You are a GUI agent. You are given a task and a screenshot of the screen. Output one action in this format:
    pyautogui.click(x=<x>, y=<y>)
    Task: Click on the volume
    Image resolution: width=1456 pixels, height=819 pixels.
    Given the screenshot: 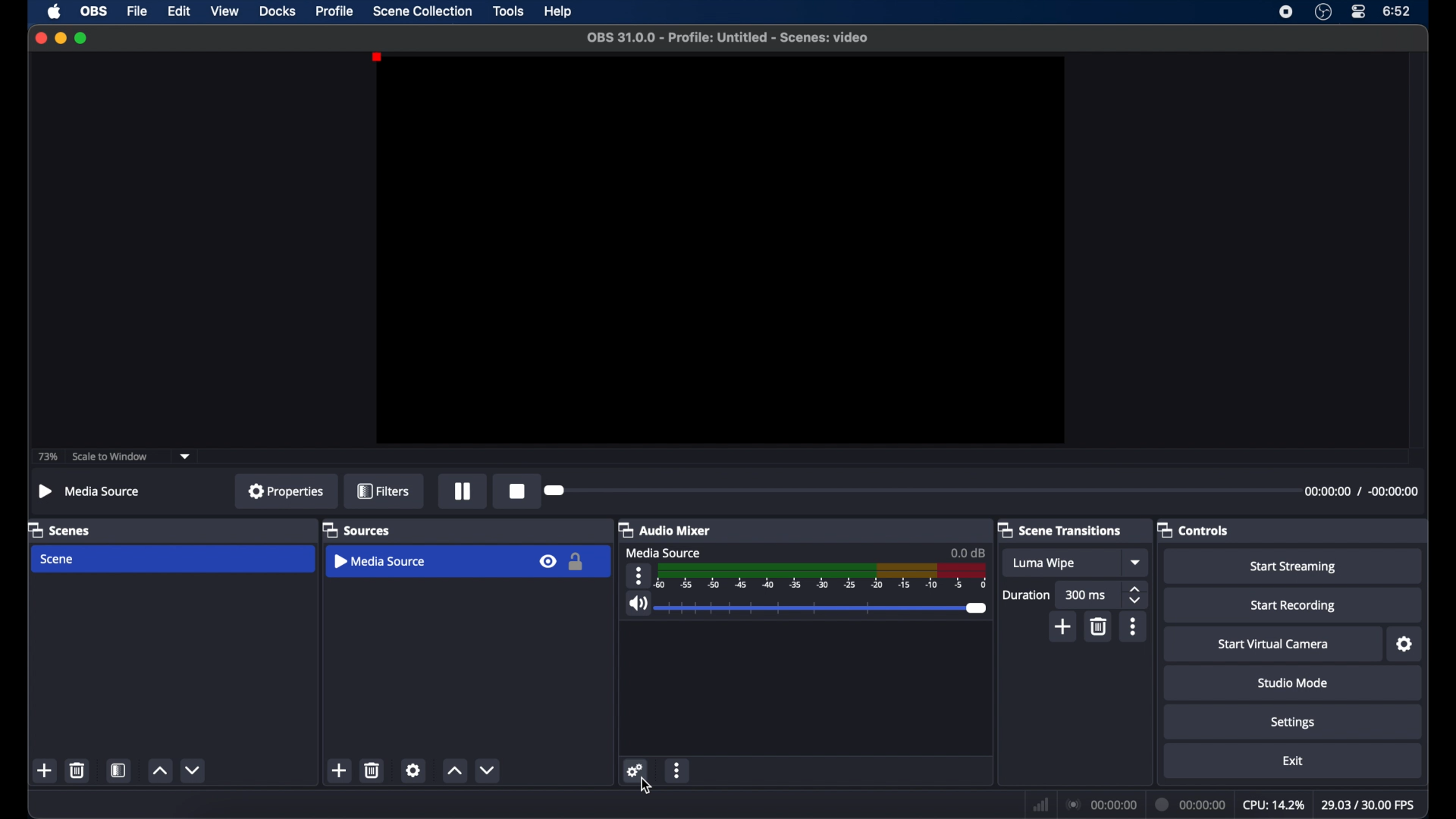 What is the action you would take?
    pyautogui.click(x=638, y=604)
    